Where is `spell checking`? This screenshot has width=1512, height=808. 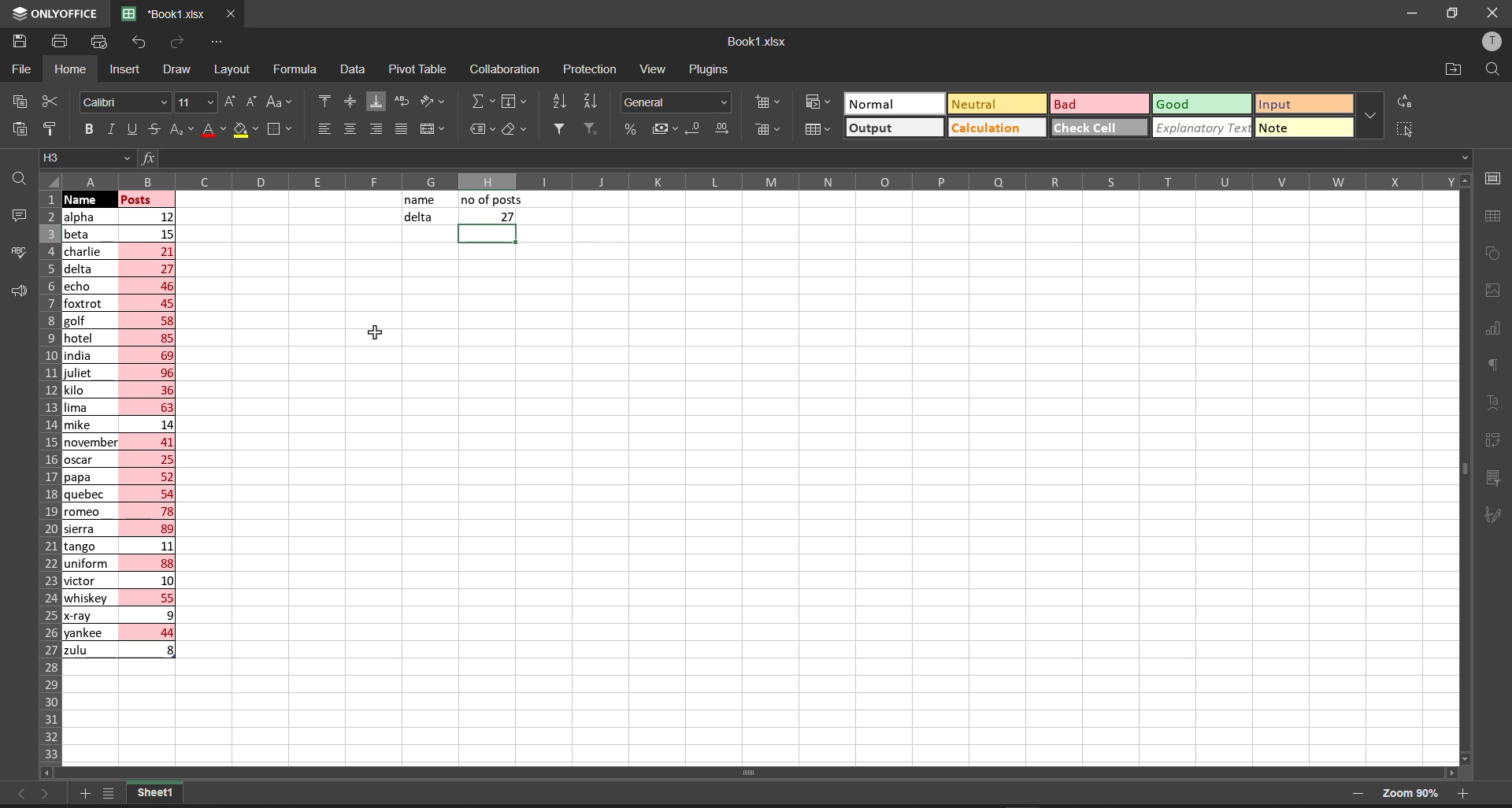 spell checking is located at coordinates (15, 252).